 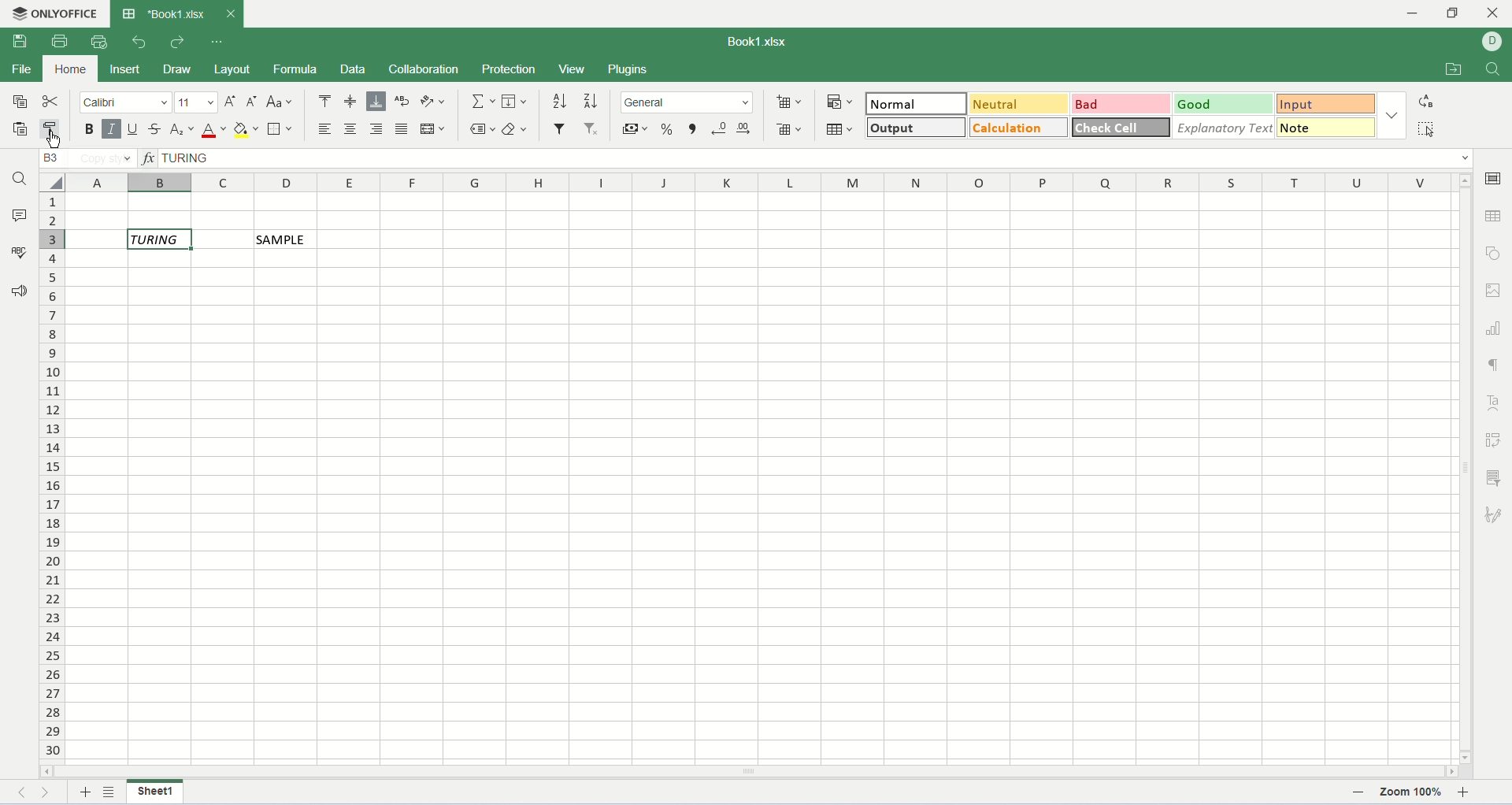 I want to click on merge and center, so click(x=432, y=128).